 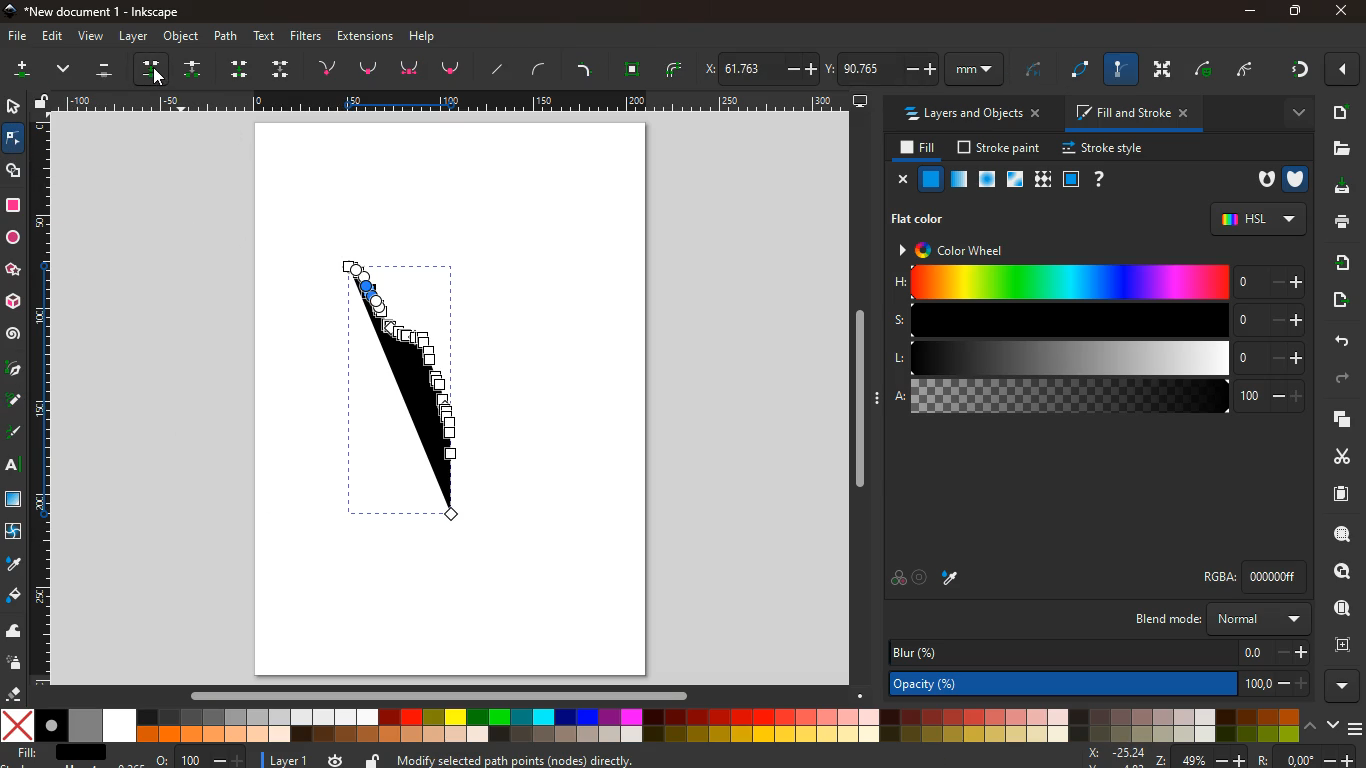 I want to click on layer, so click(x=280, y=759).